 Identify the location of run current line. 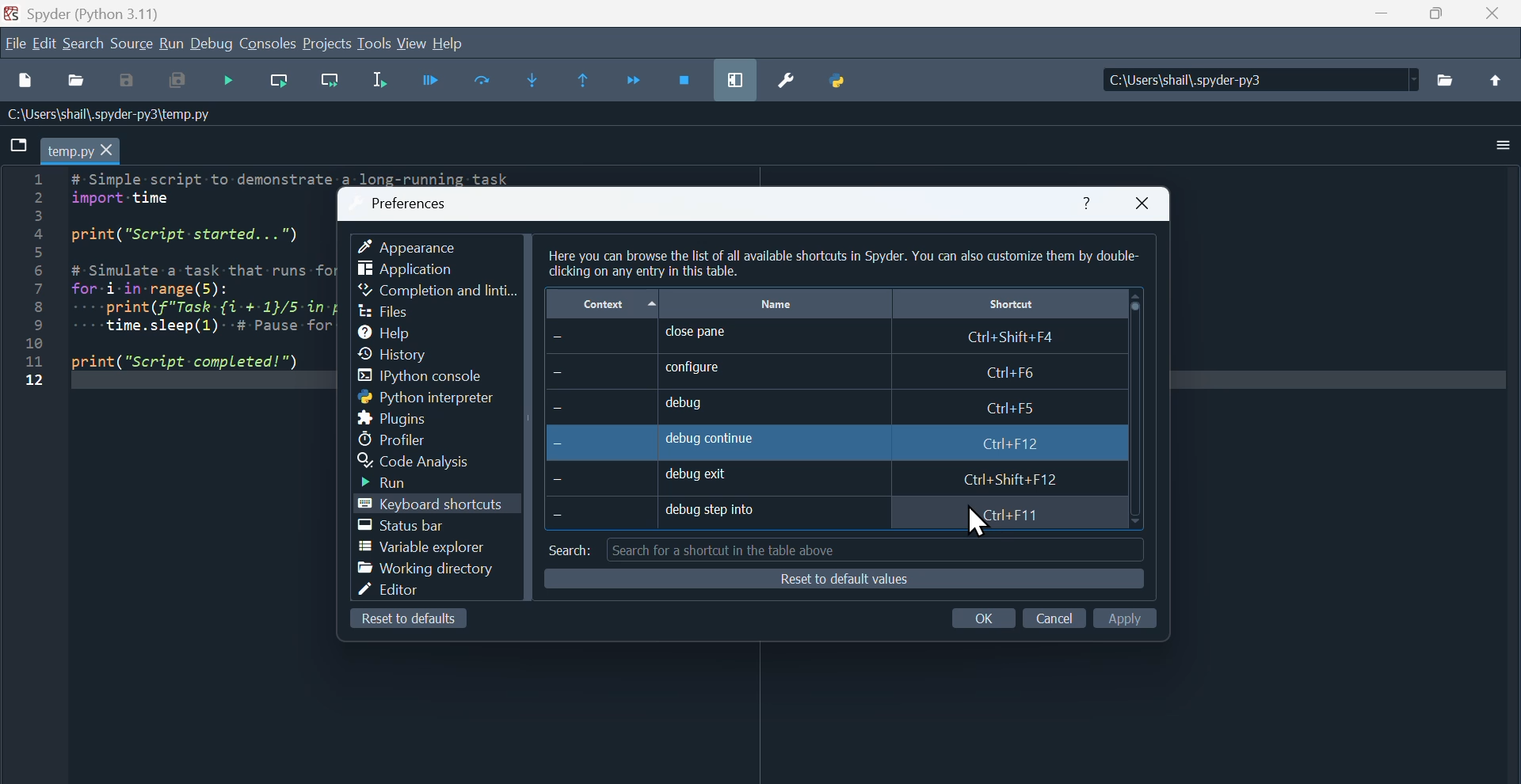
(279, 84).